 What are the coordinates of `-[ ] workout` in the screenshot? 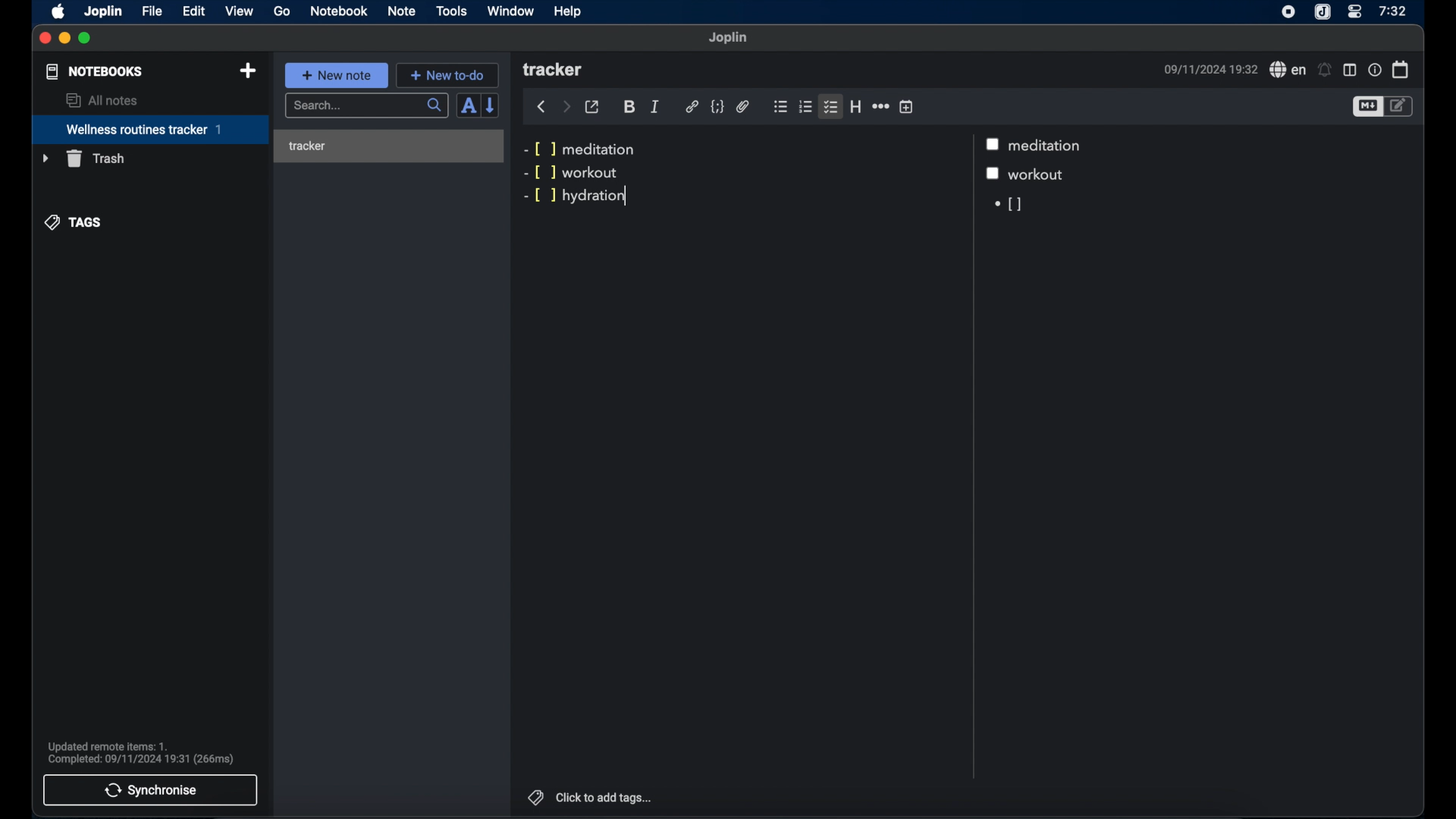 It's located at (571, 174).